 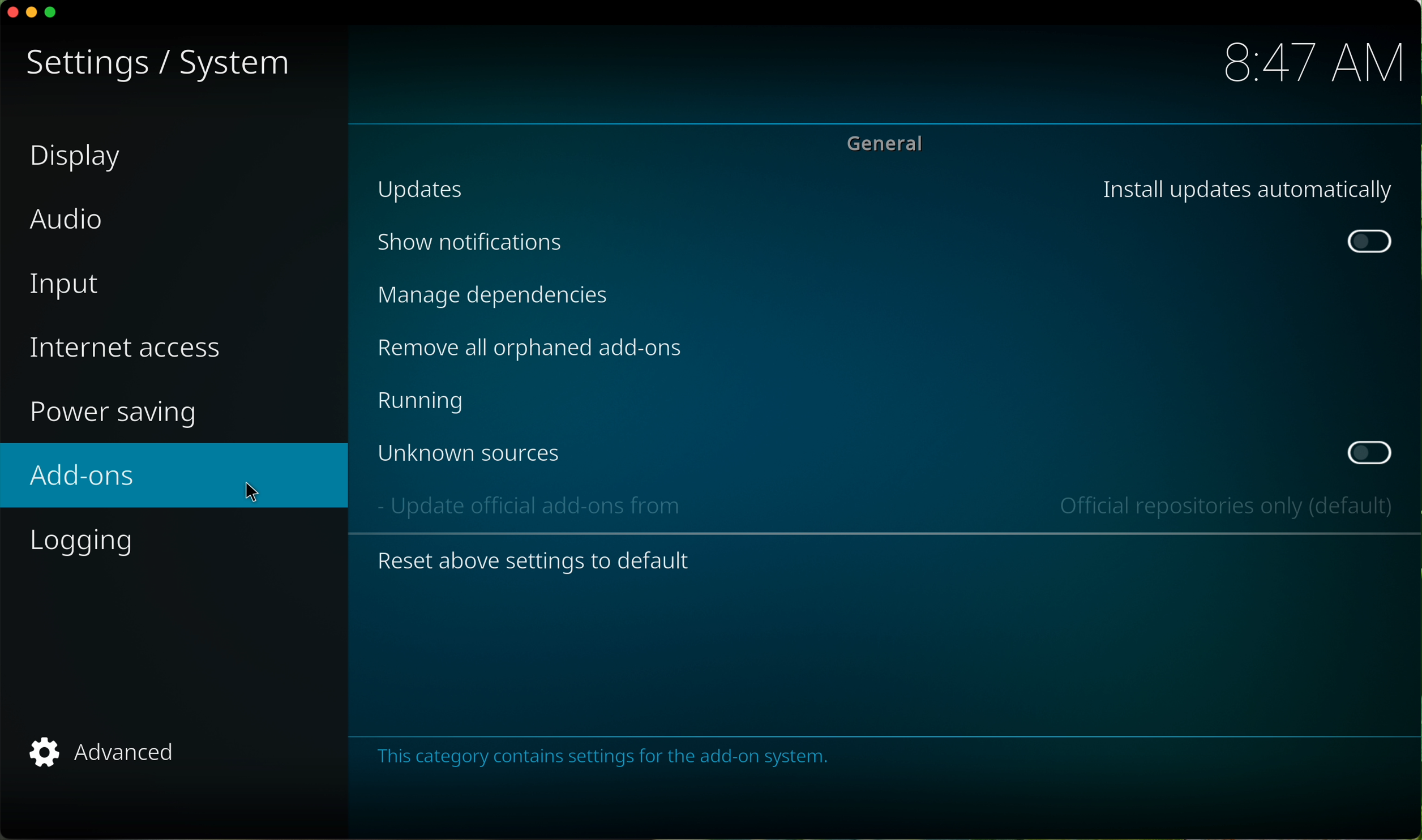 I want to click on General, so click(x=894, y=142).